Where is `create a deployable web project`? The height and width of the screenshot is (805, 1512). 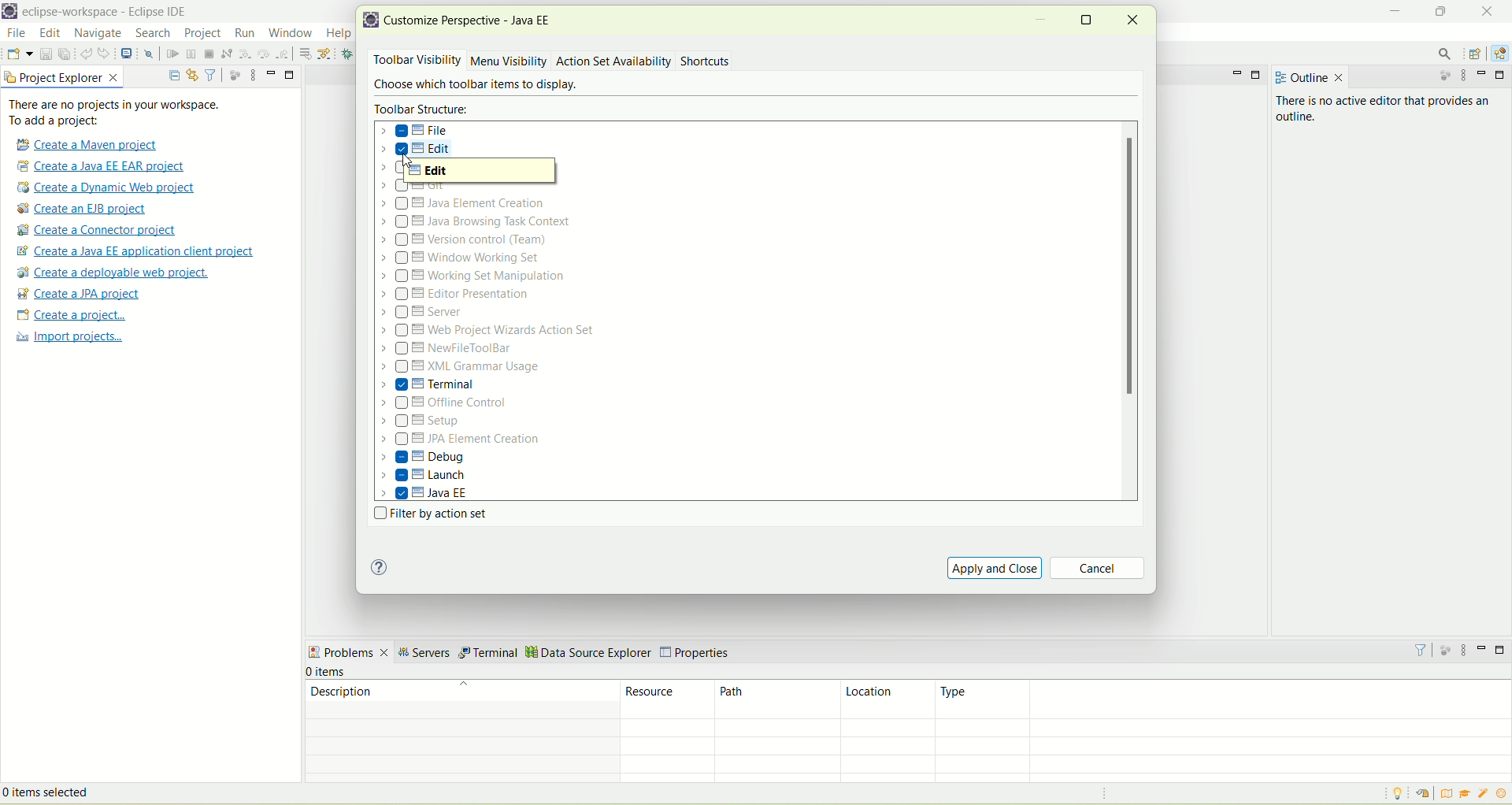 create a deployable web project is located at coordinates (111, 273).